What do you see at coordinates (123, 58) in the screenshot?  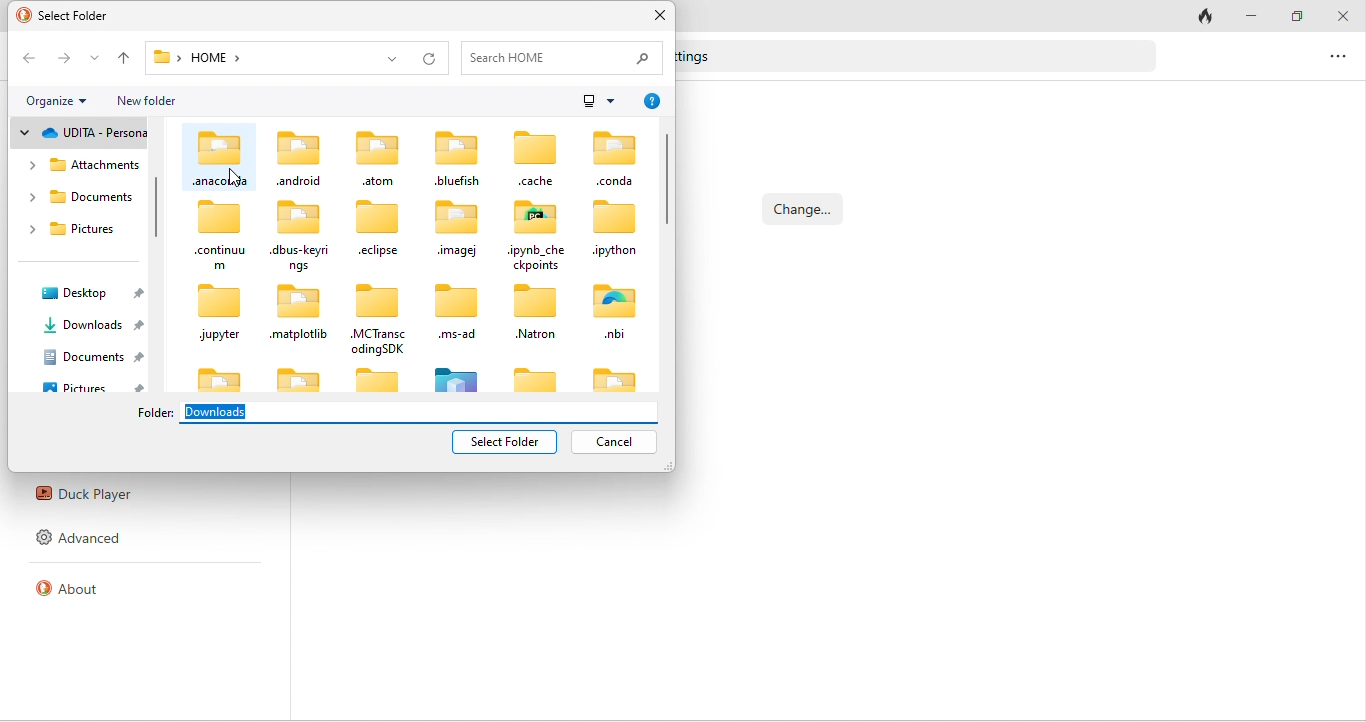 I see `up to` at bounding box center [123, 58].